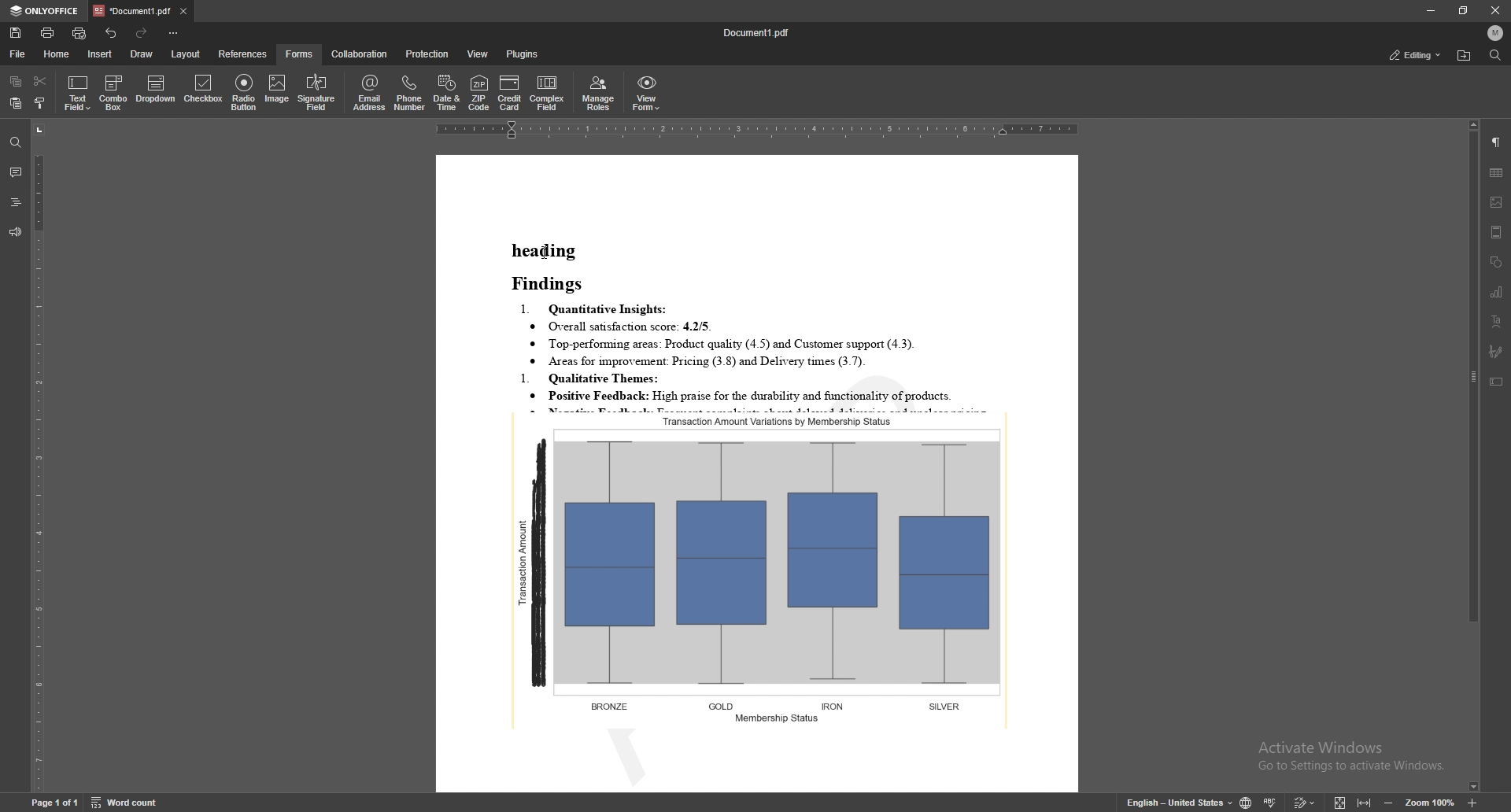 This screenshot has width=1511, height=812. I want to click on layout, so click(187, 54).